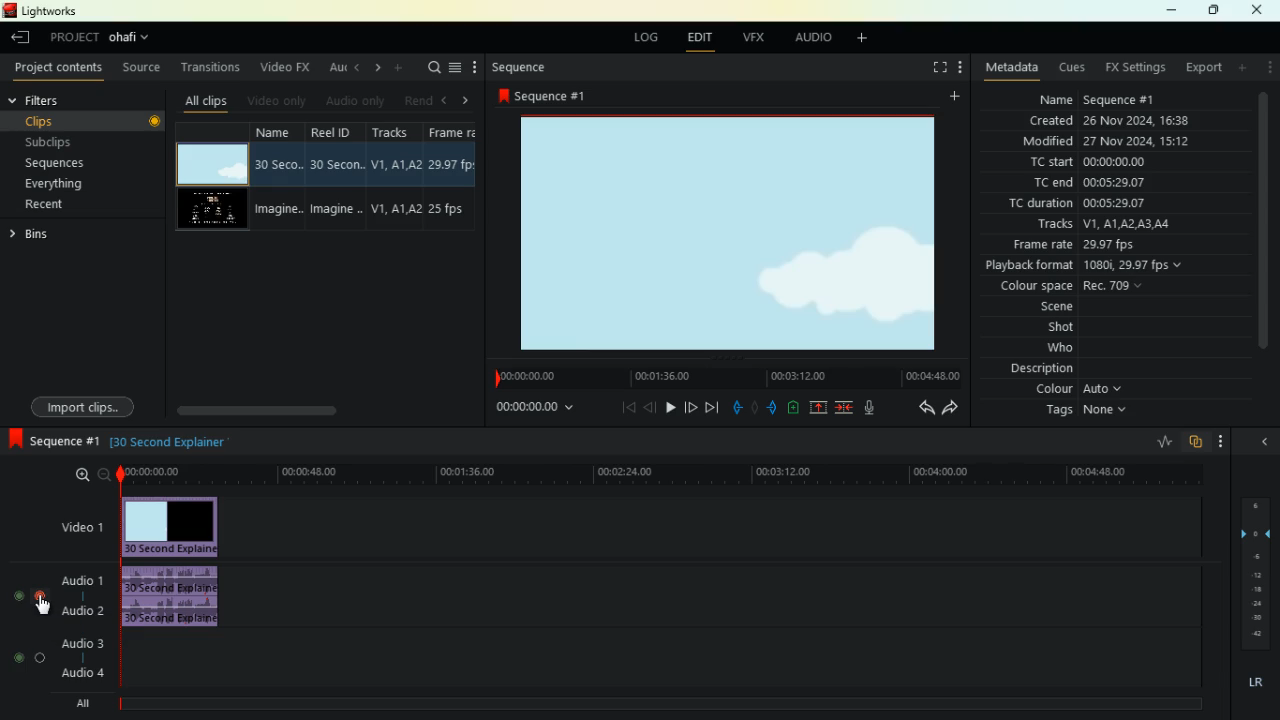 Image resolution: width=1280 pixels, height=720 pixels. What do you see at coordinates (670, 410) in the screenshot?
I see `play` at bounding box center [670, 410].